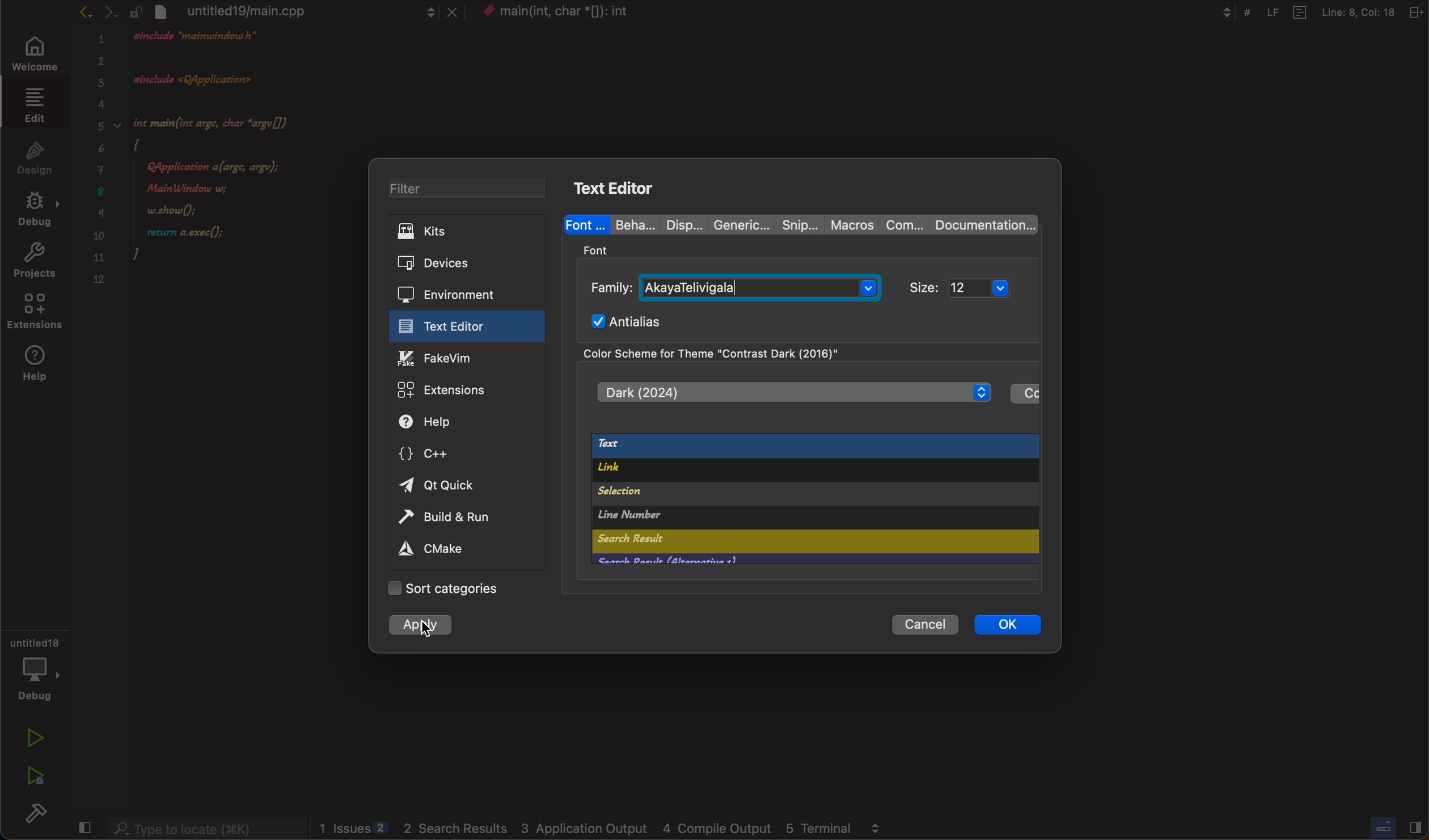 This screenshot has height=840, width=1429. Describe the element at coordinates (801, 472) in the screenshot. I see `link` at that location.